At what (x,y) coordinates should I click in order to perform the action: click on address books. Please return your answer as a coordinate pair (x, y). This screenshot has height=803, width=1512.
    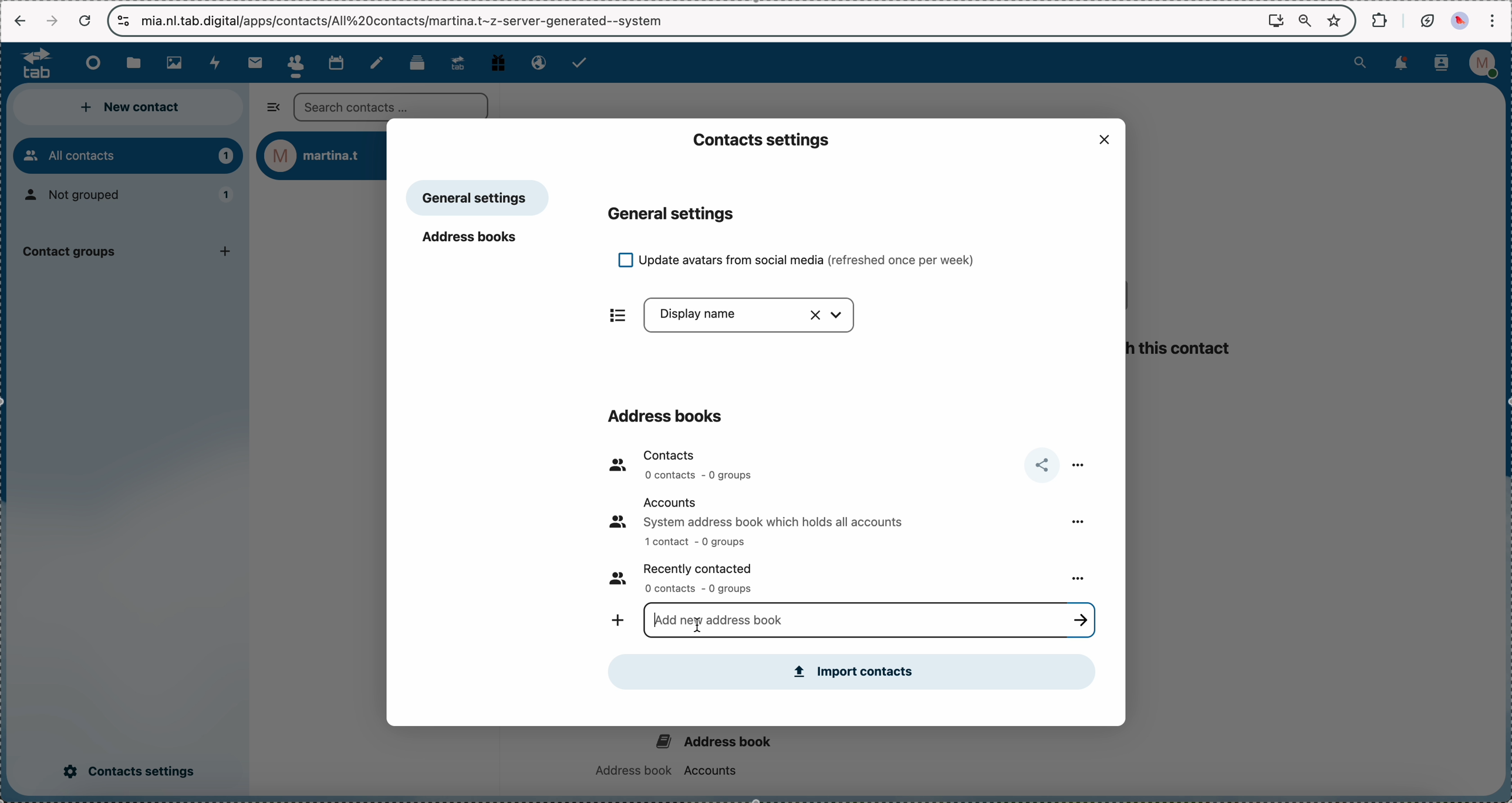
    Looking at the image, I should click on (474, 240).